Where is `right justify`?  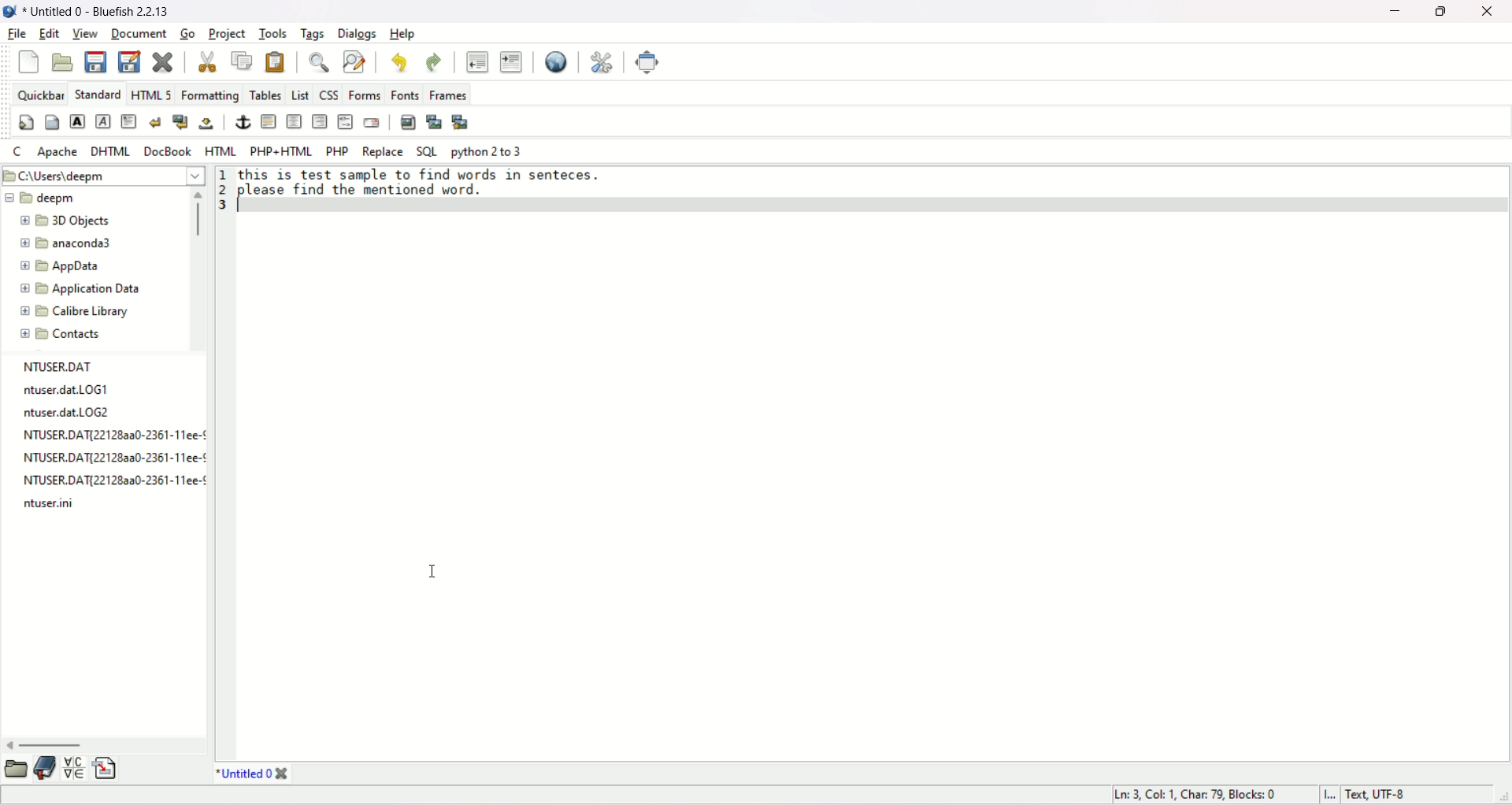 right justify is located at coordinates (318, 121).